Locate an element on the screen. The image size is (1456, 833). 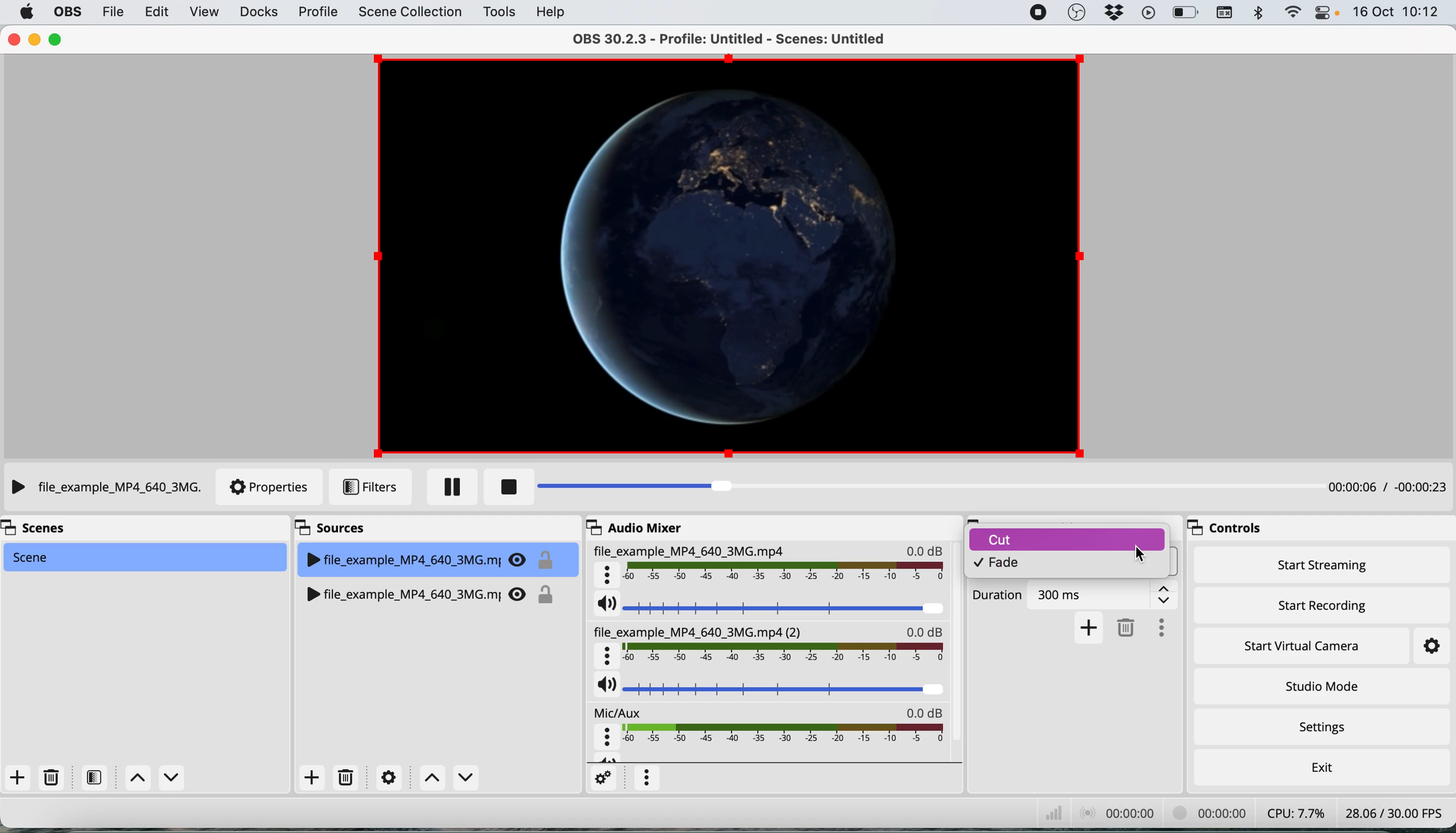
filters is located at coordinates (93, 777).